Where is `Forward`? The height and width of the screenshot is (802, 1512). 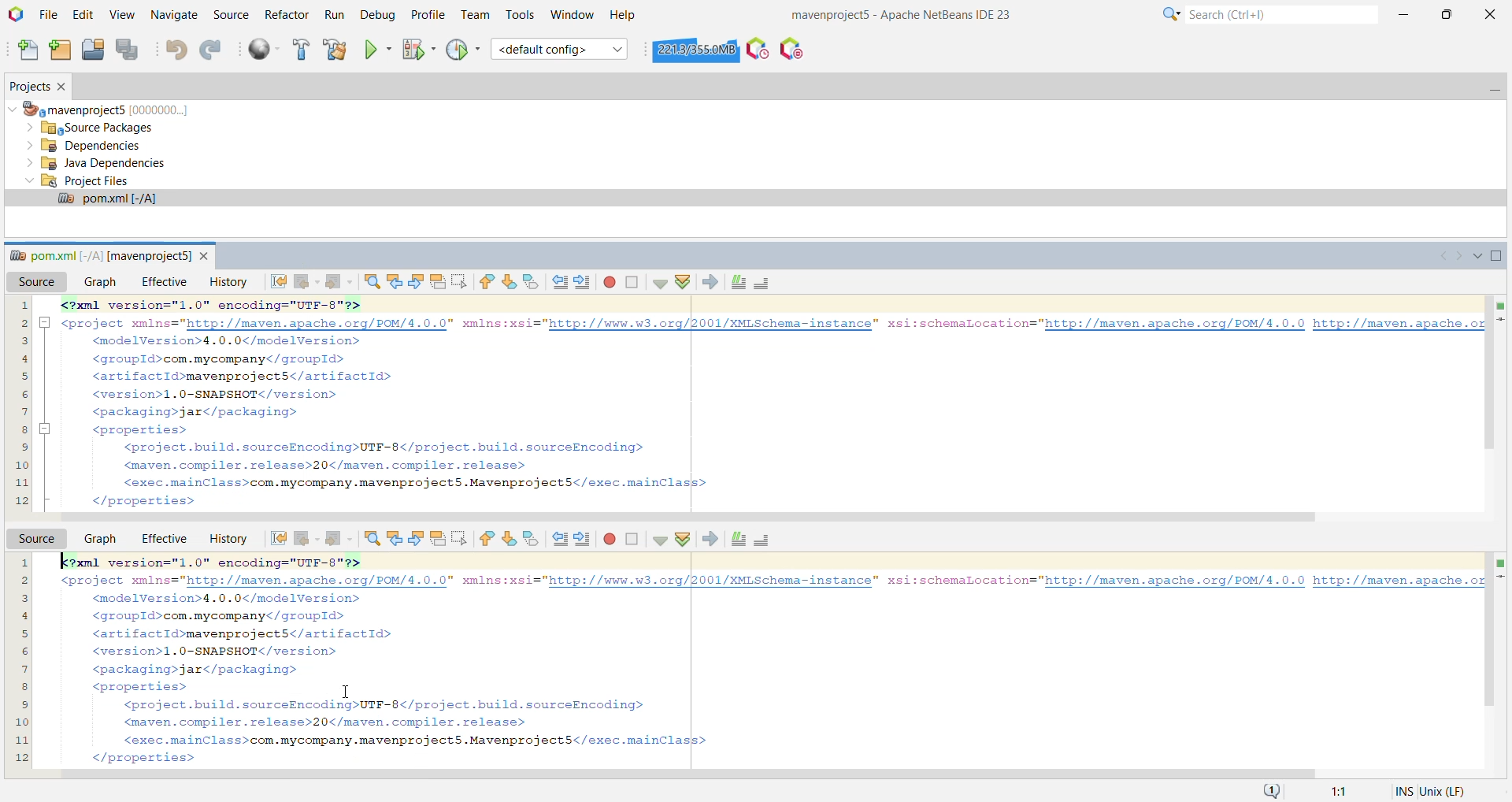 Forward is located at coordinates (341, 282).